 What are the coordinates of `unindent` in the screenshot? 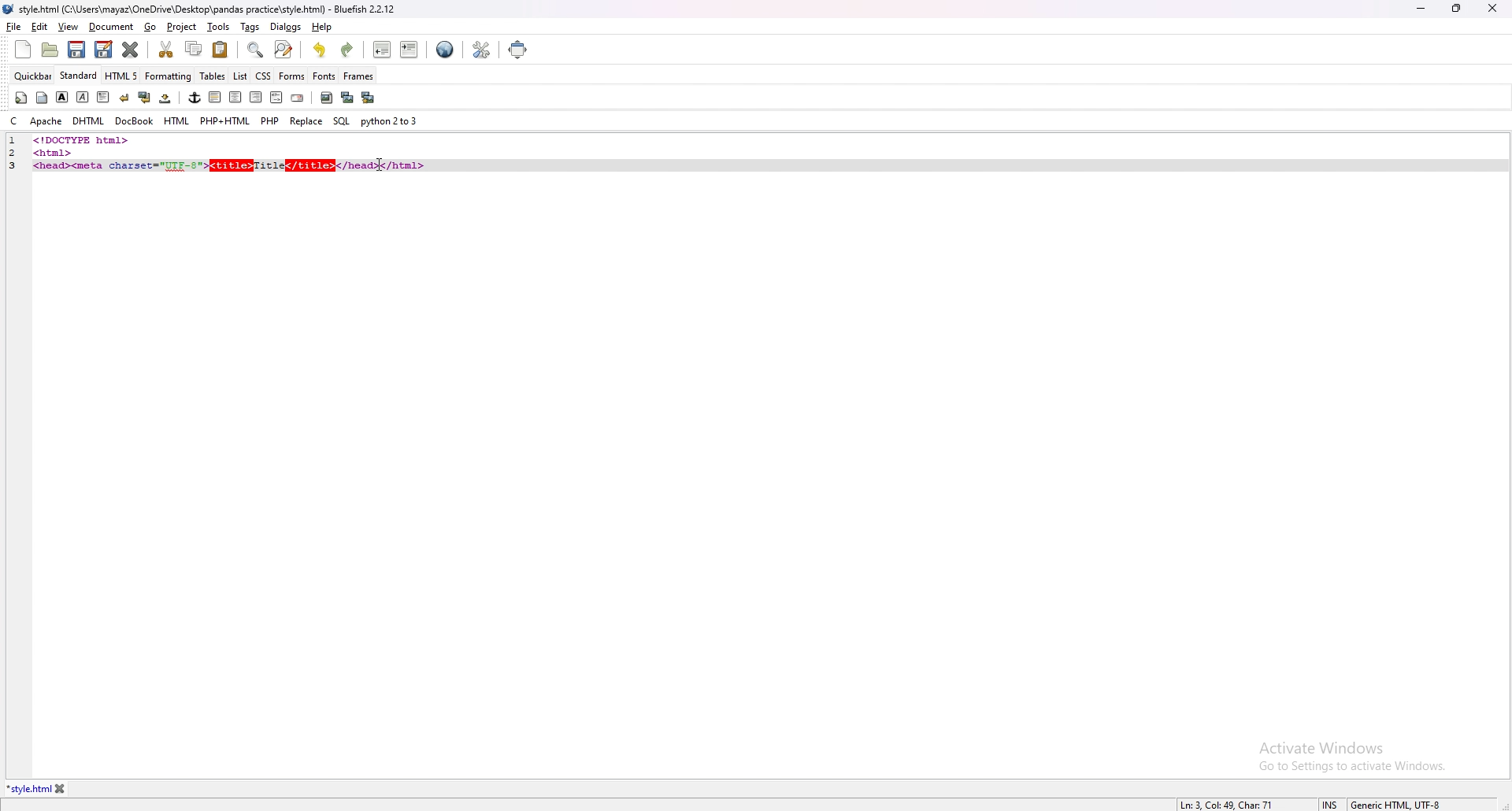 It's located at (383, 50).